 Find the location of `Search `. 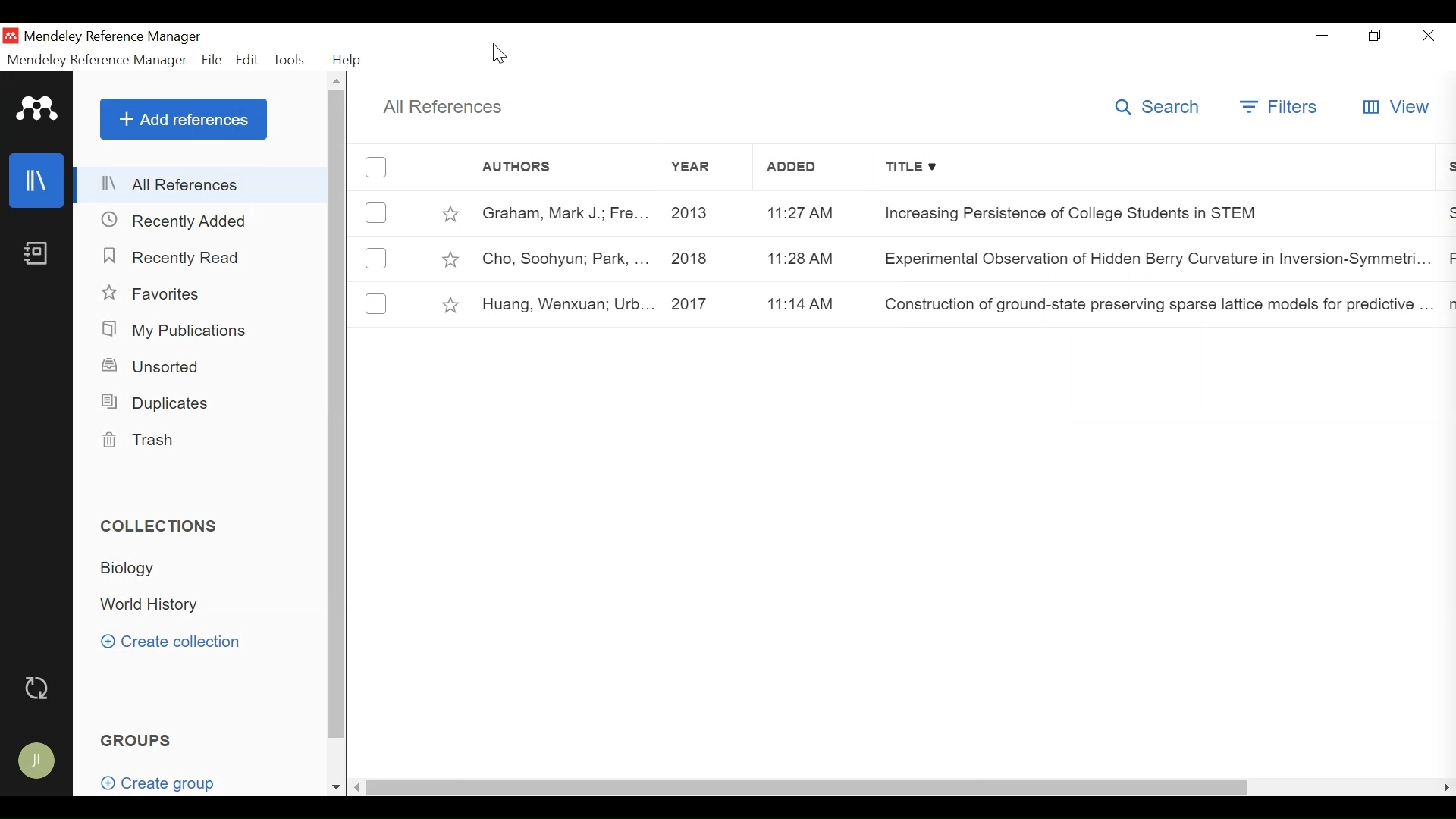

Search  is located at coordinates (1159, 108).